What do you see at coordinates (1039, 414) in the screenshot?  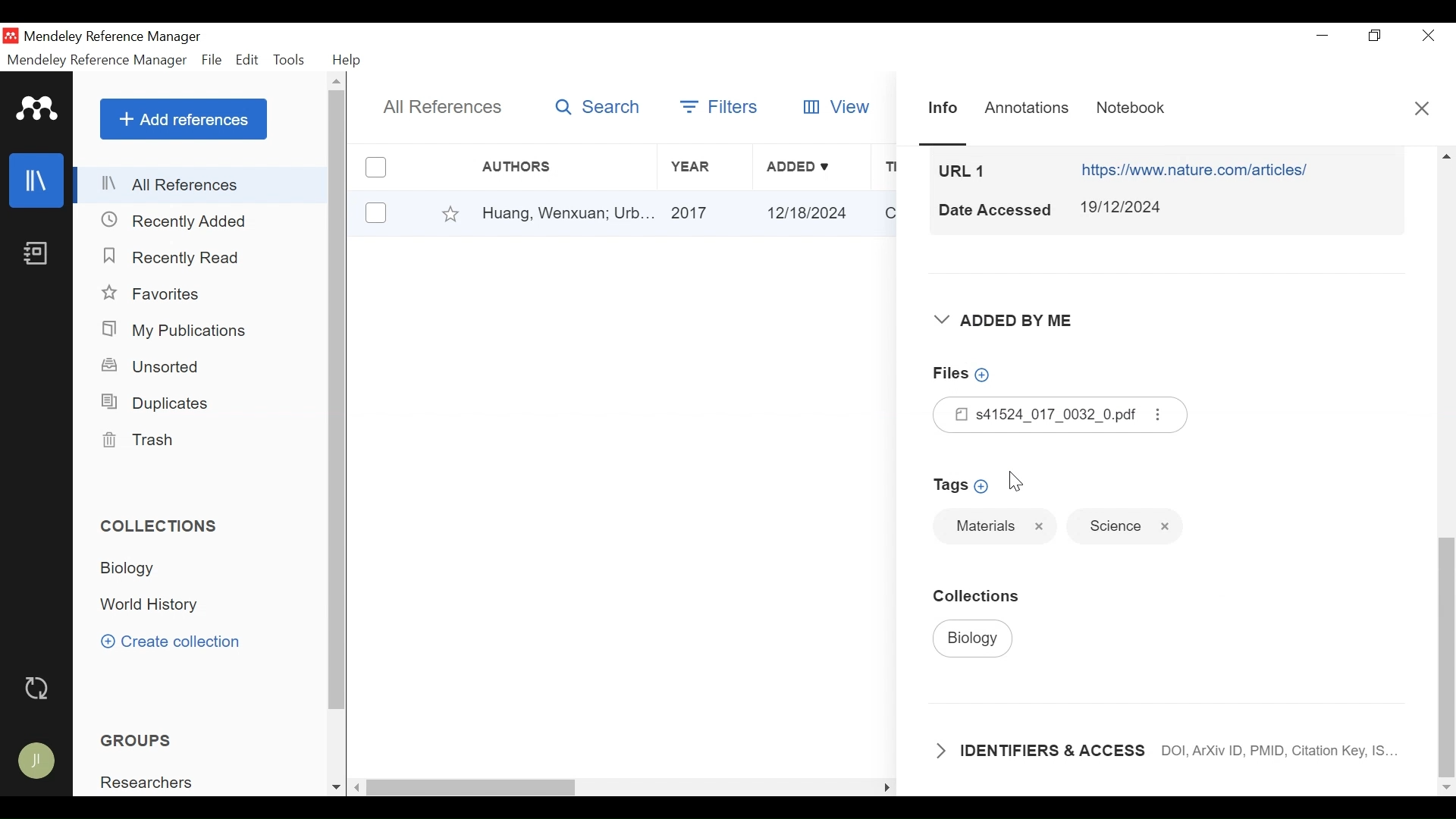 I see `s41524_017_0032_0.pdf` at bounding box center [1039, 414].